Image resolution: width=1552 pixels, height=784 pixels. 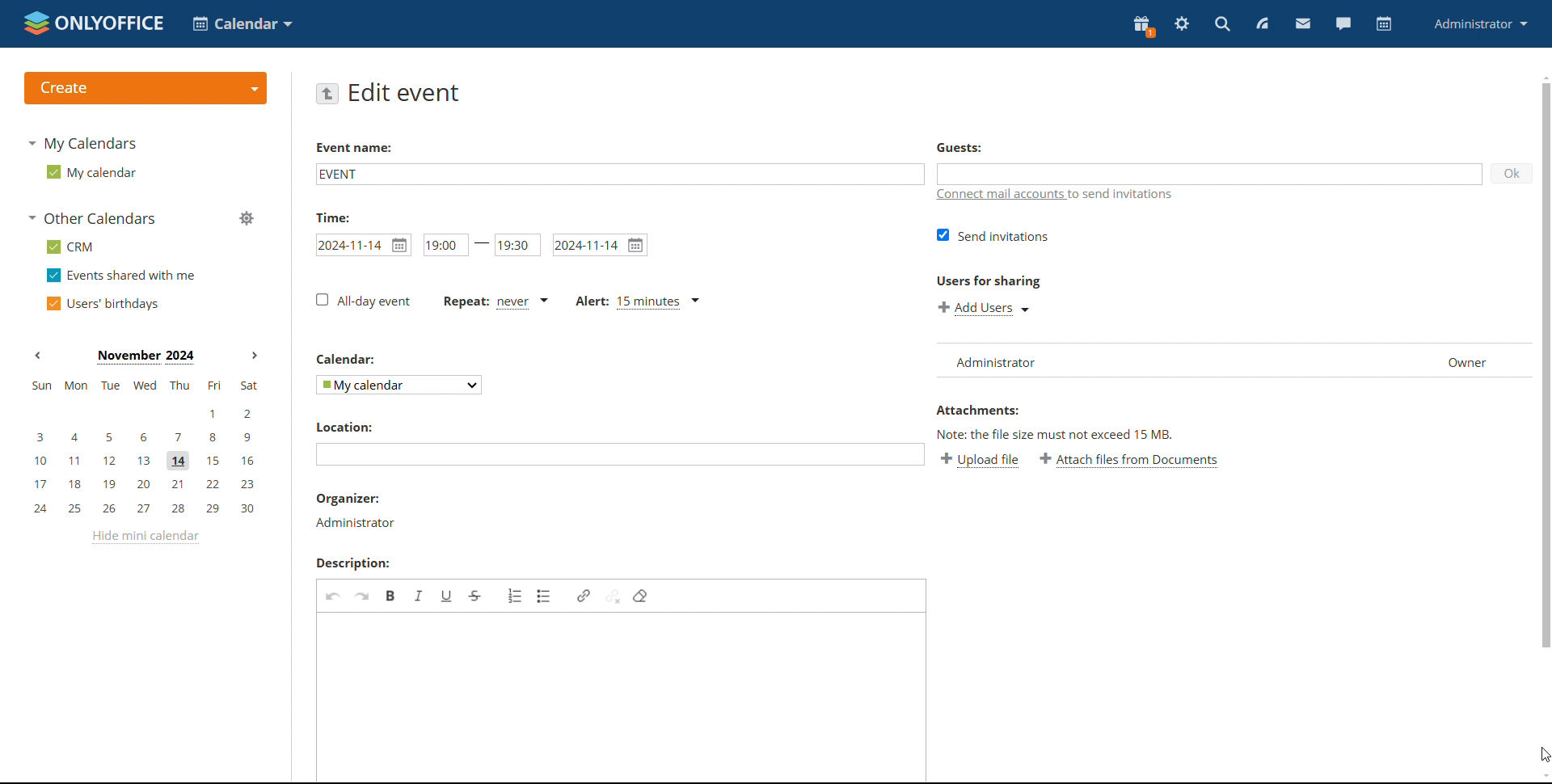 What do you see at coordinates (517, 595) in the screenshot?
I see `insert/remove numbered list` at bounding box center [517, 595].